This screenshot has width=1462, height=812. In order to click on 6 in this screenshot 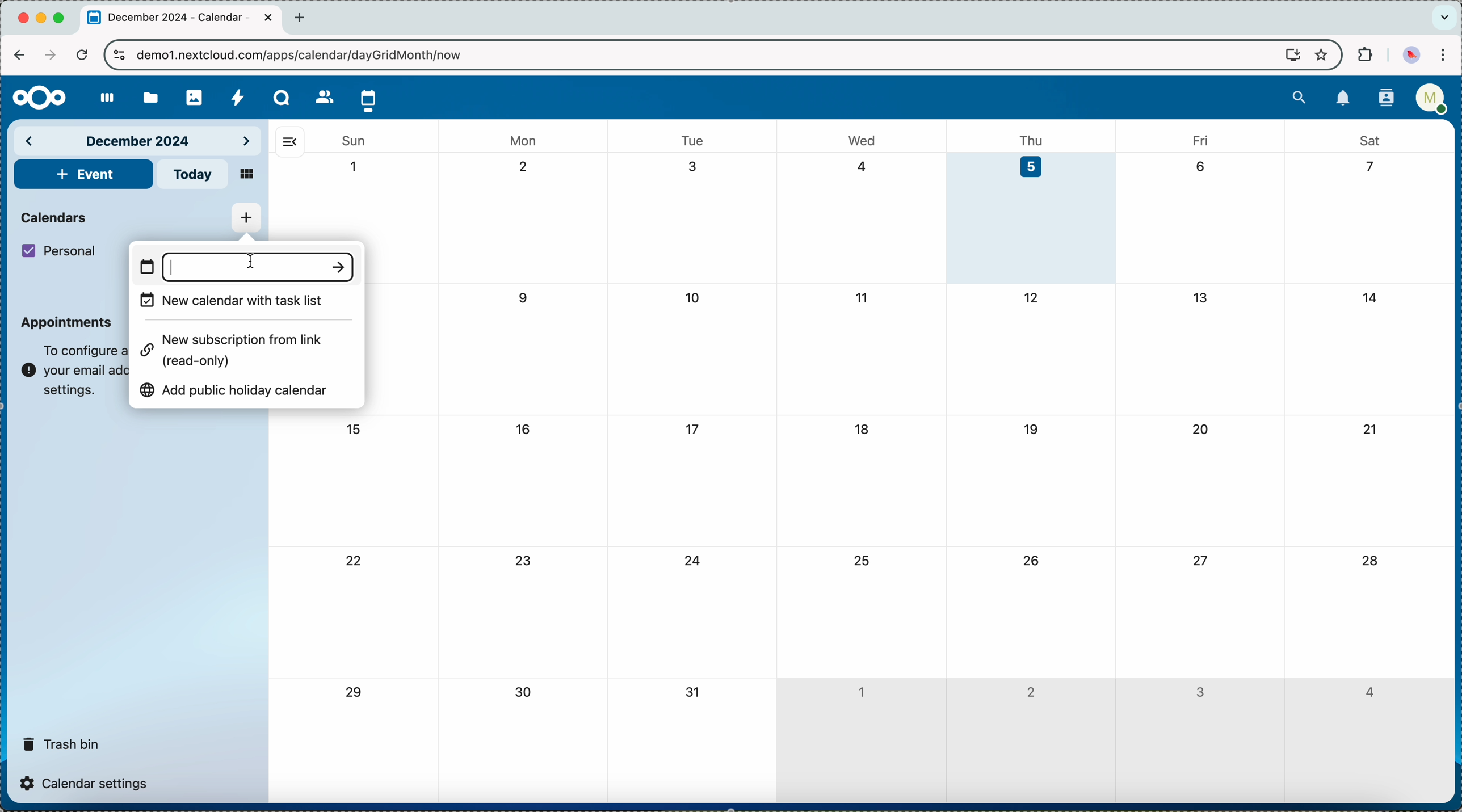, I will do `click(1200, 165)`.